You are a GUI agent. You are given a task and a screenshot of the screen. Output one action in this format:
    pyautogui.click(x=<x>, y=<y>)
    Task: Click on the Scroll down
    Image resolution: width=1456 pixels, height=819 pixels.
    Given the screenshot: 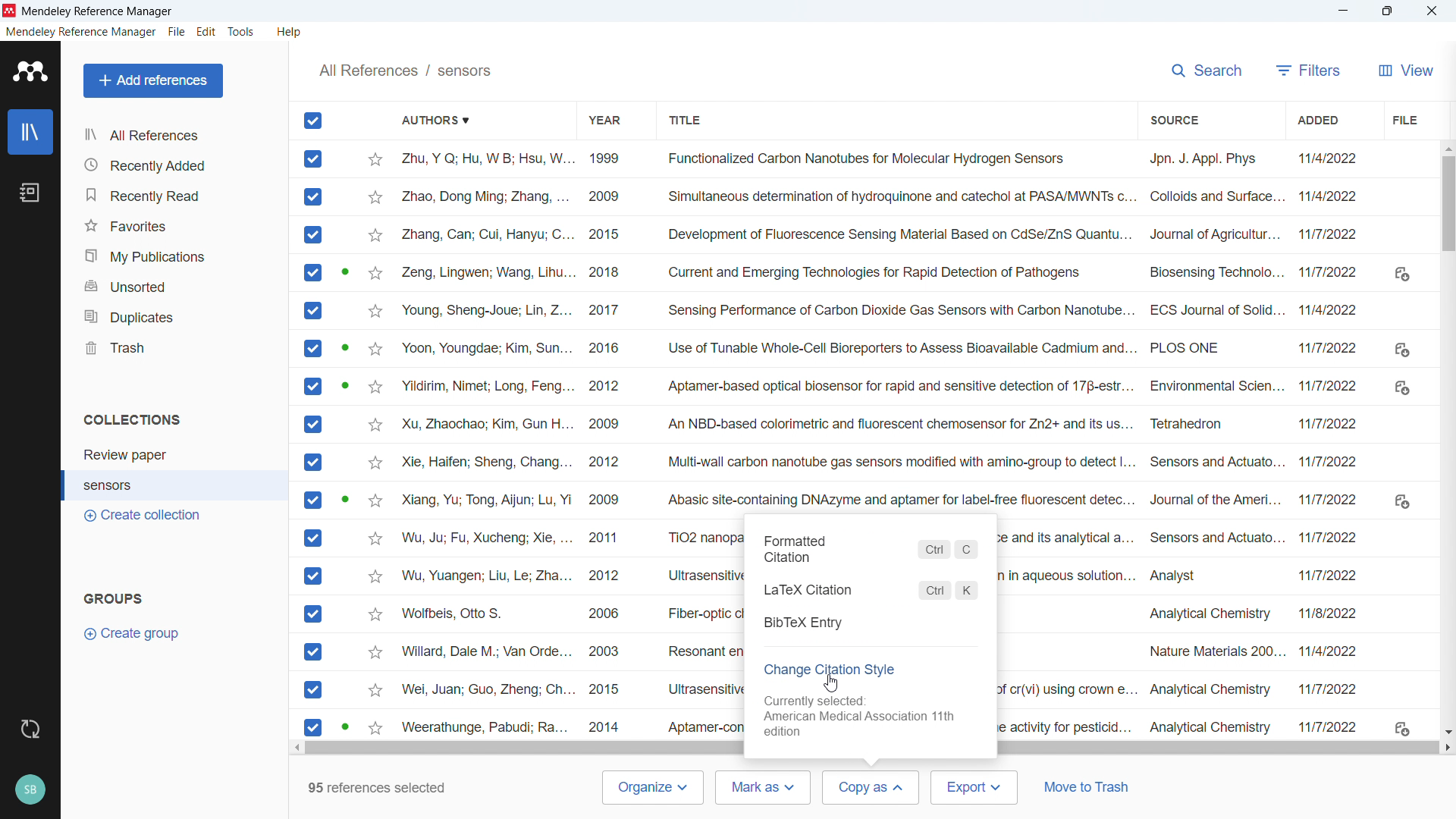 What is the action you would take?
    pyautogui.click(x=1446, y=732)
    